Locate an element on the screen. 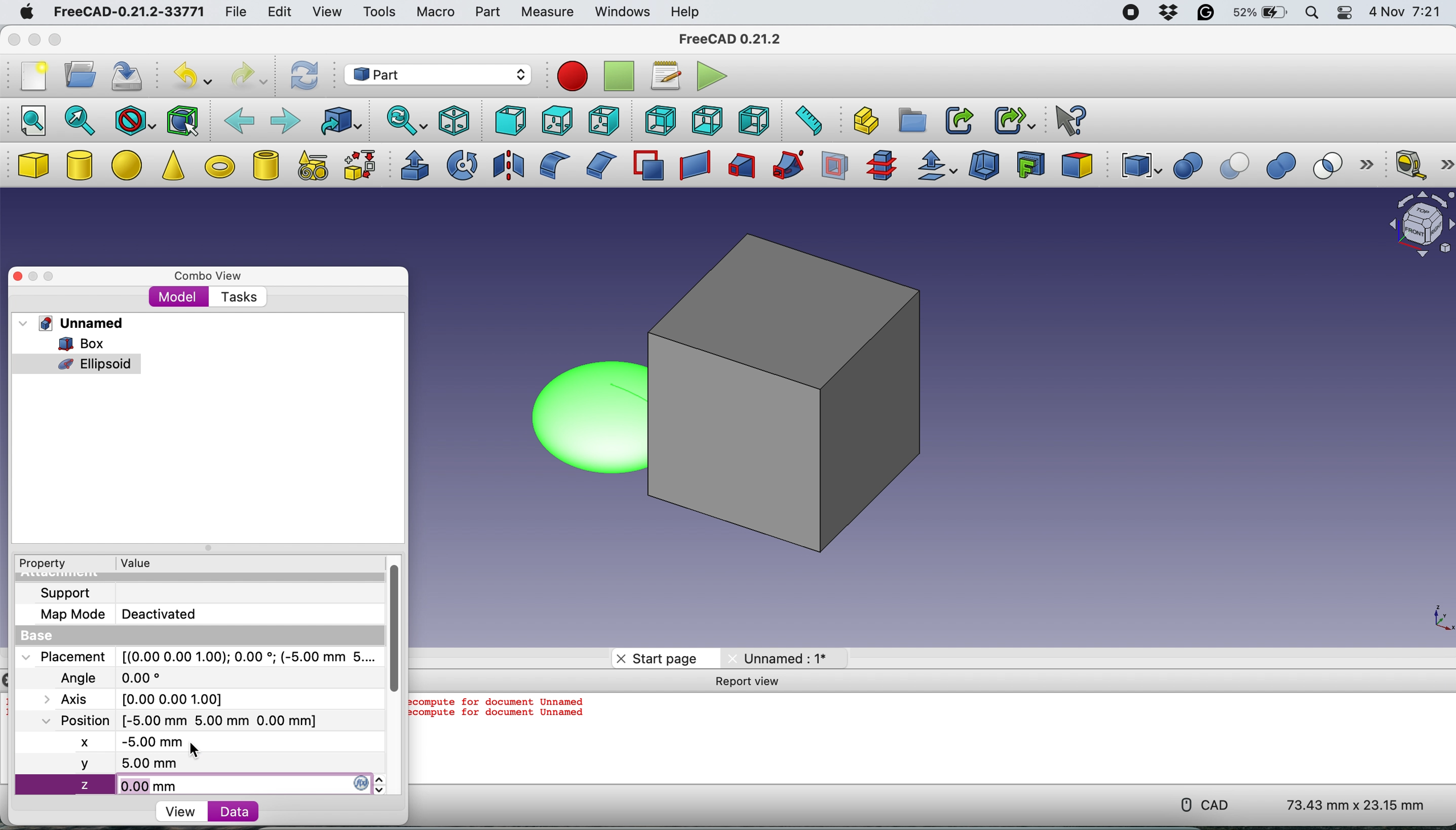  fit selection is located at coordinates (80, 120).